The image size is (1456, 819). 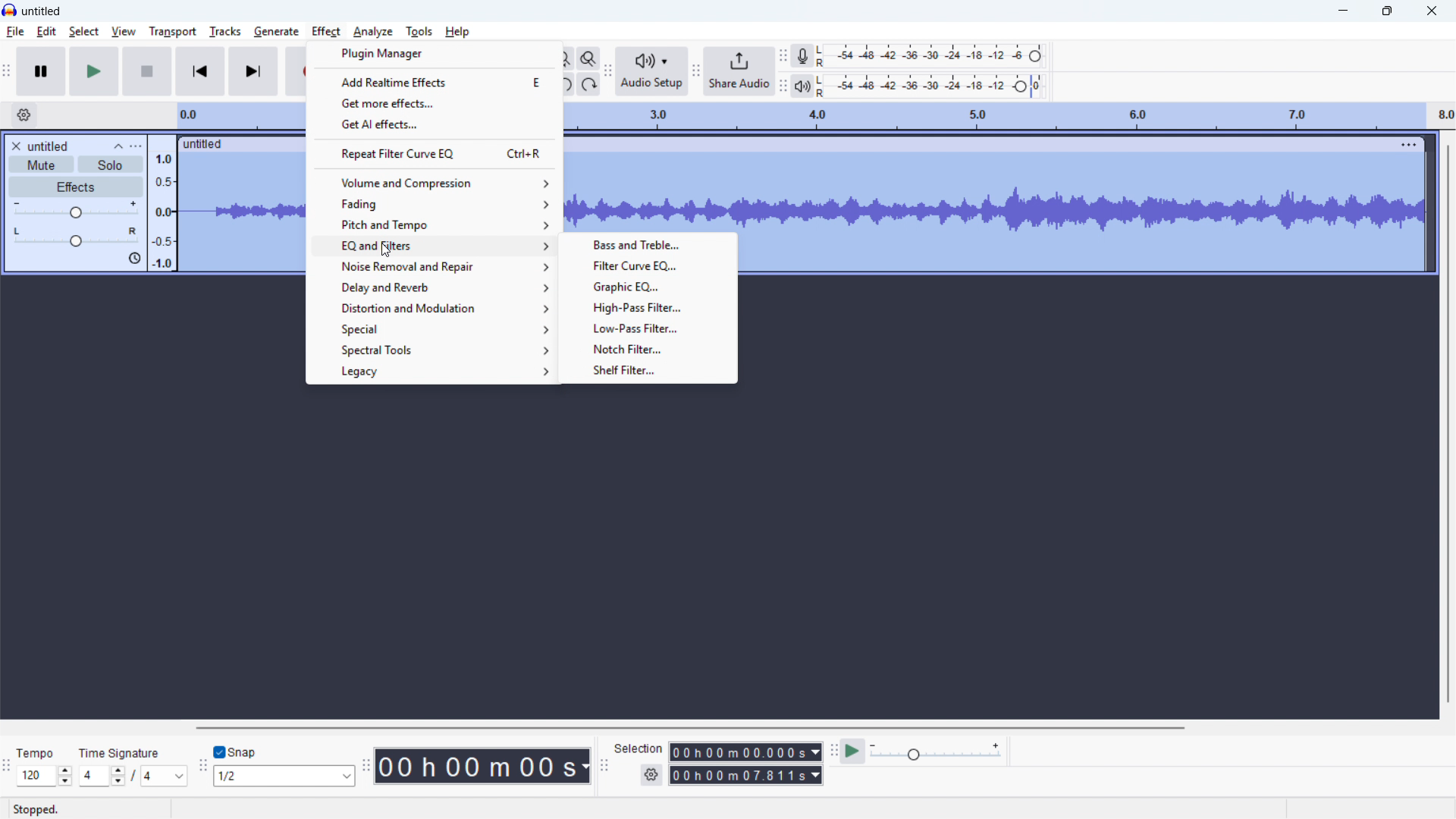 I want to click on time signature, so click(x=120, y=754).